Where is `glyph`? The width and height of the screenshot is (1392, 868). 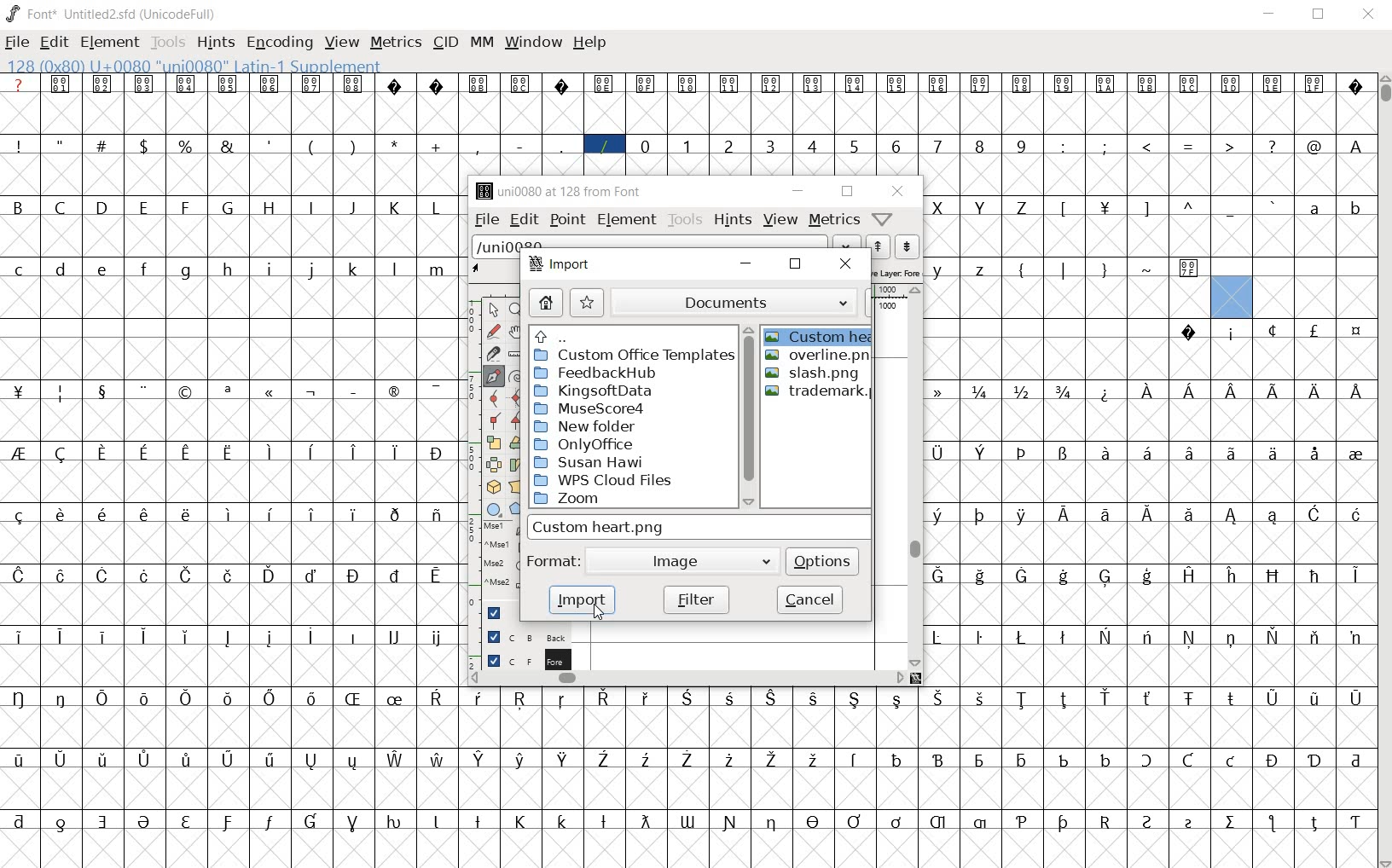 glyph is located at coordinates (478, 760).